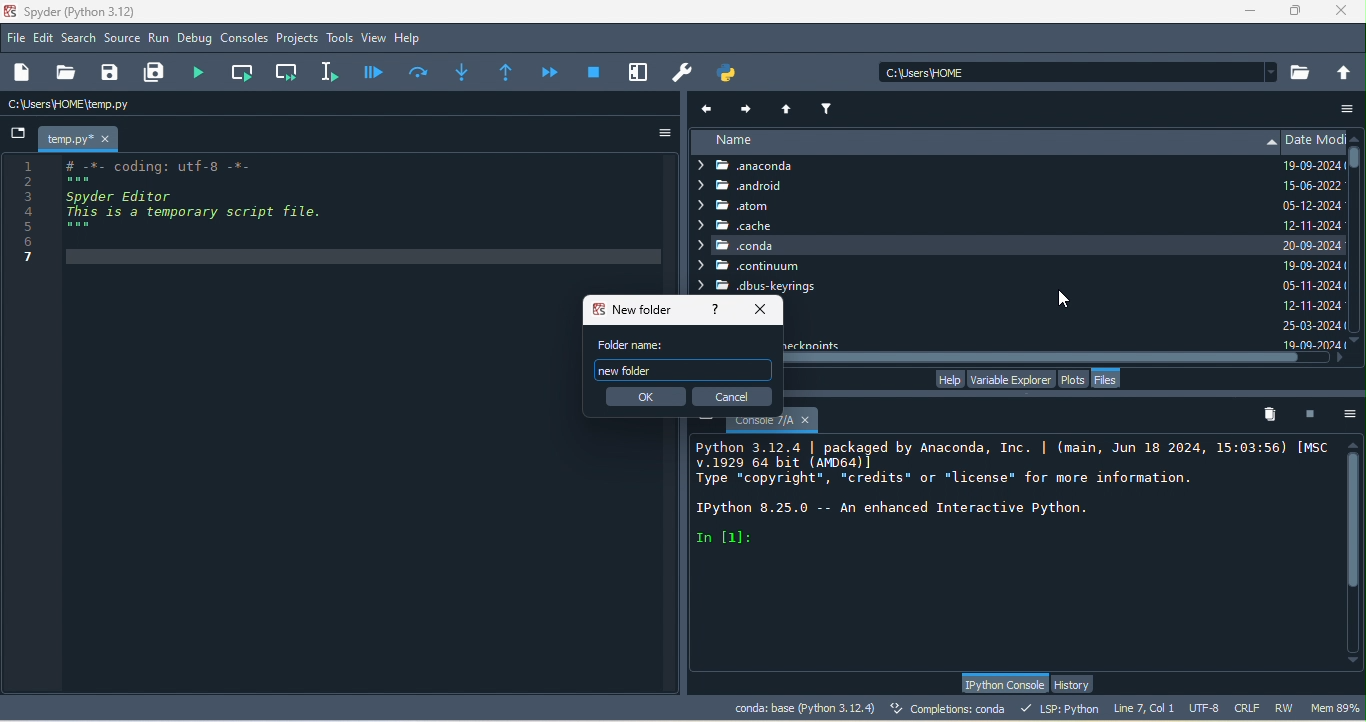 The width and height of the screenshot is (1366, 722). Describe the element at coordinates (790, 107) in the screenshot. I see `parent` at that location.